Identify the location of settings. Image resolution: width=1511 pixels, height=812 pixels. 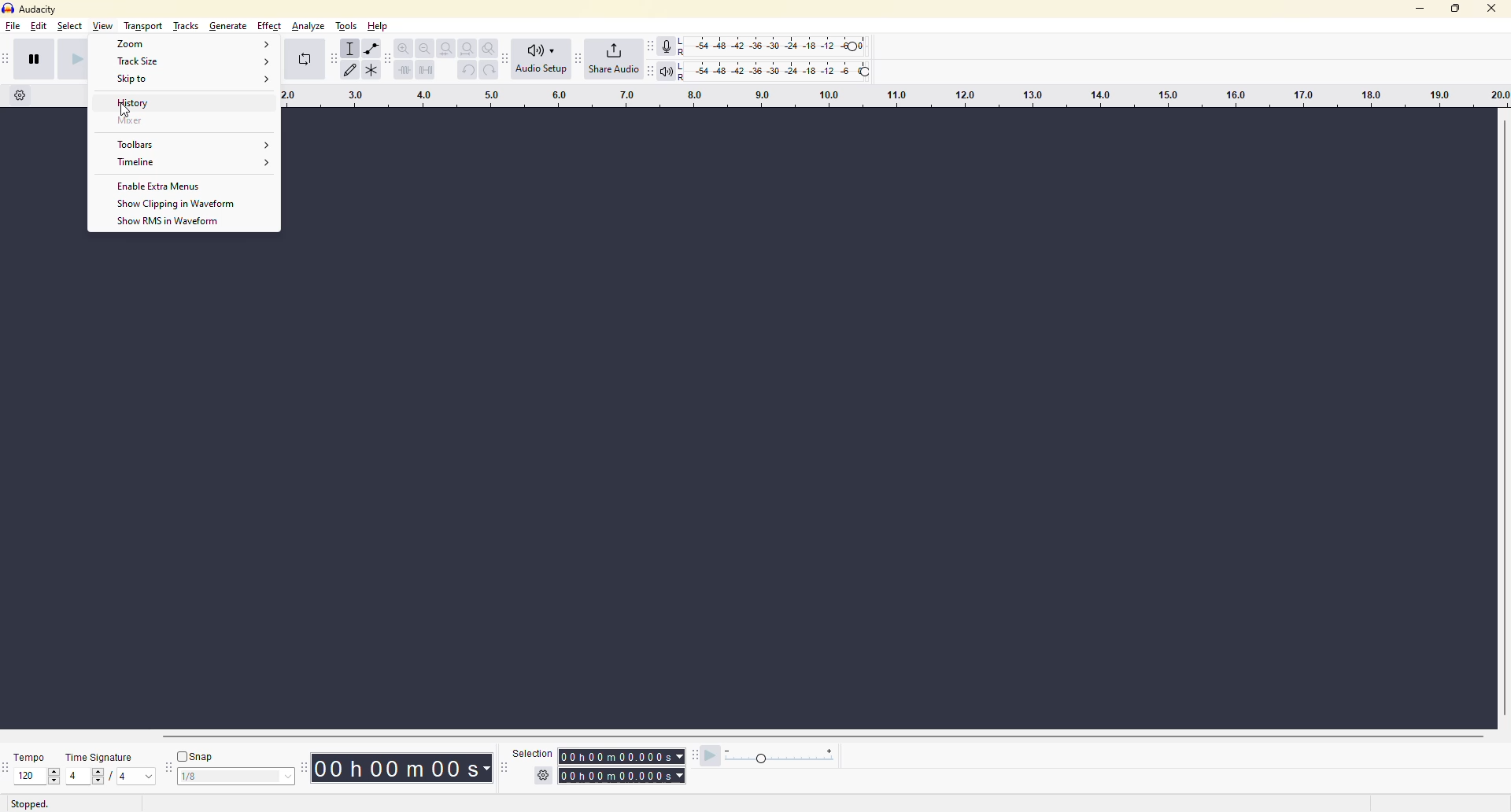
(545, 775).